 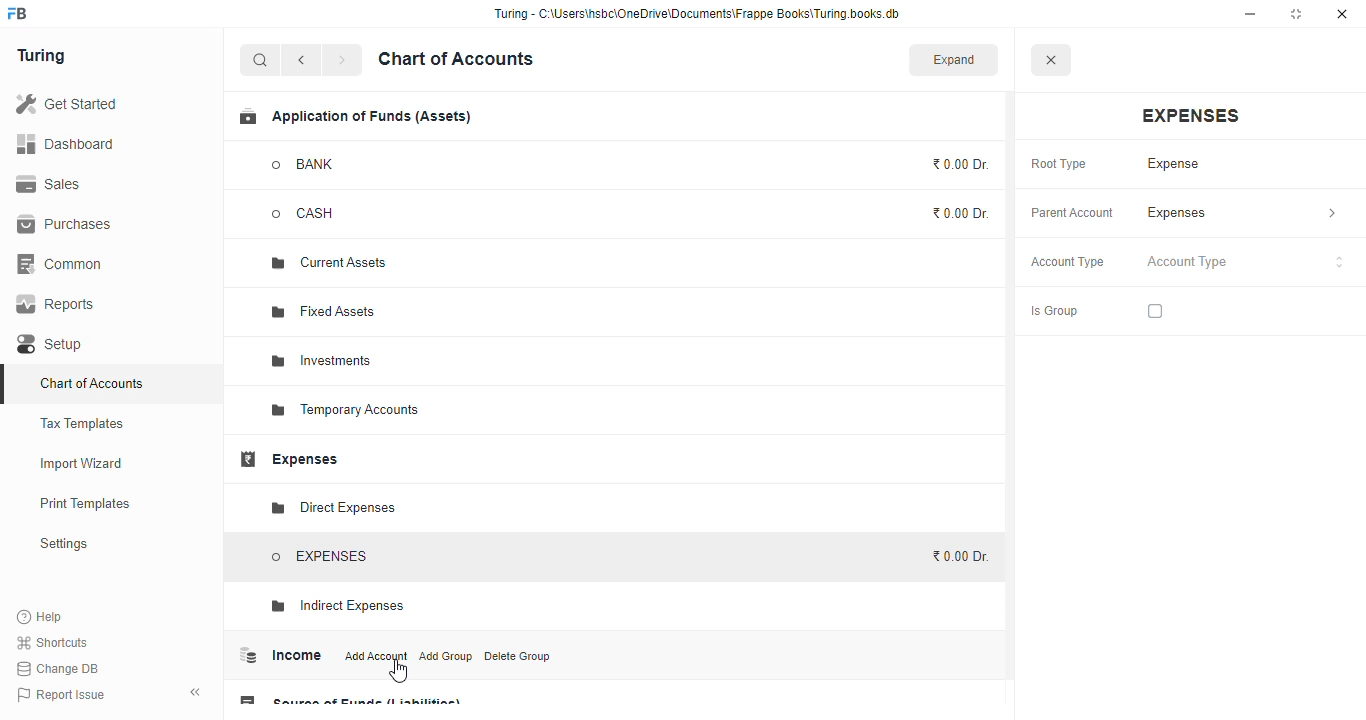 What do you see at coordinates (59, 668) in the screenshot?
I see `change DB` at bounding box center [59, 668].